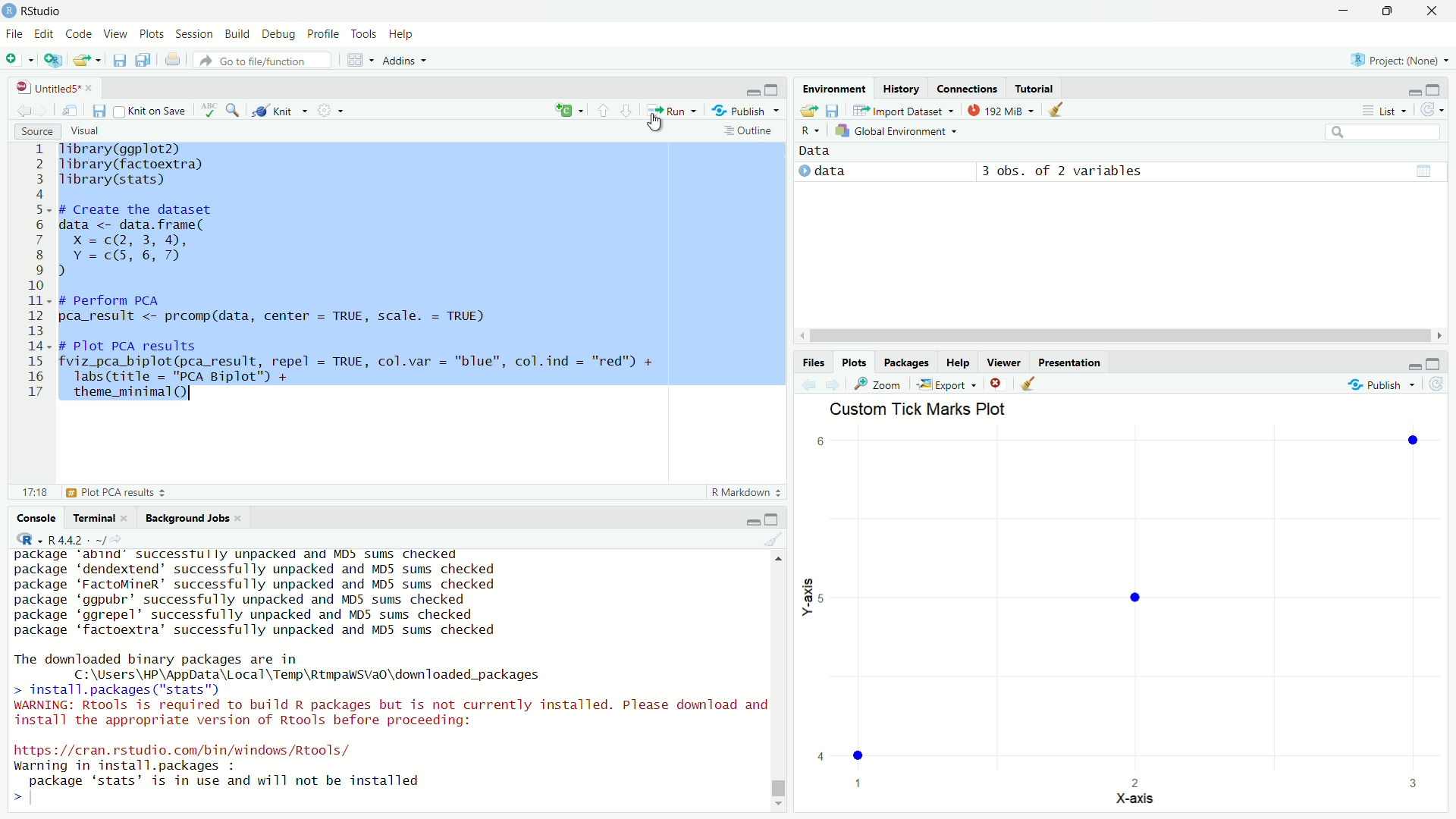  Describe the element at coordinates (827, 172) in the screenshot. I see `data` at that location.